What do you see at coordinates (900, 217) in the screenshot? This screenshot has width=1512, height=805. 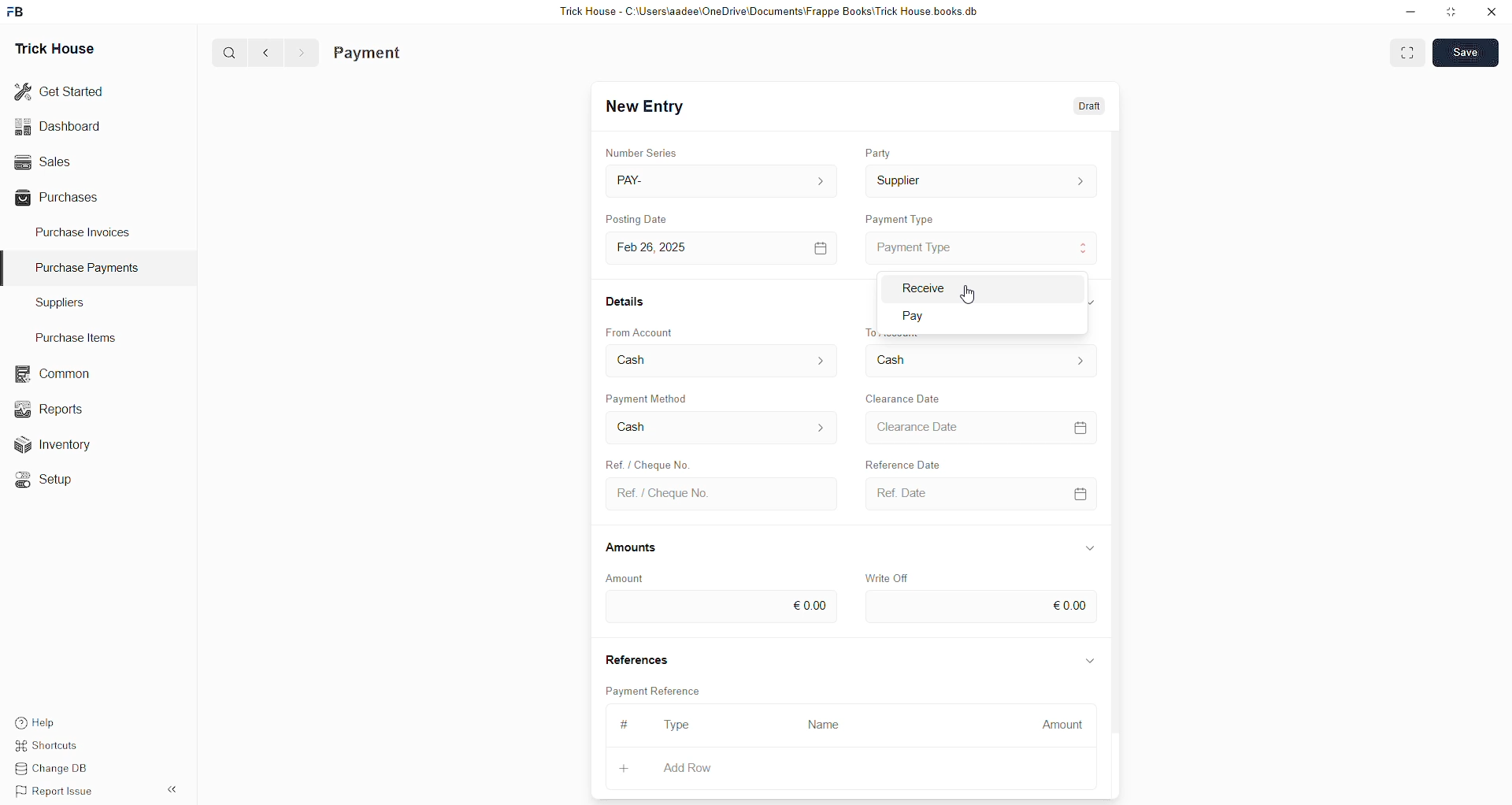 I see `Payment Type` at bounding box center [900, 217].